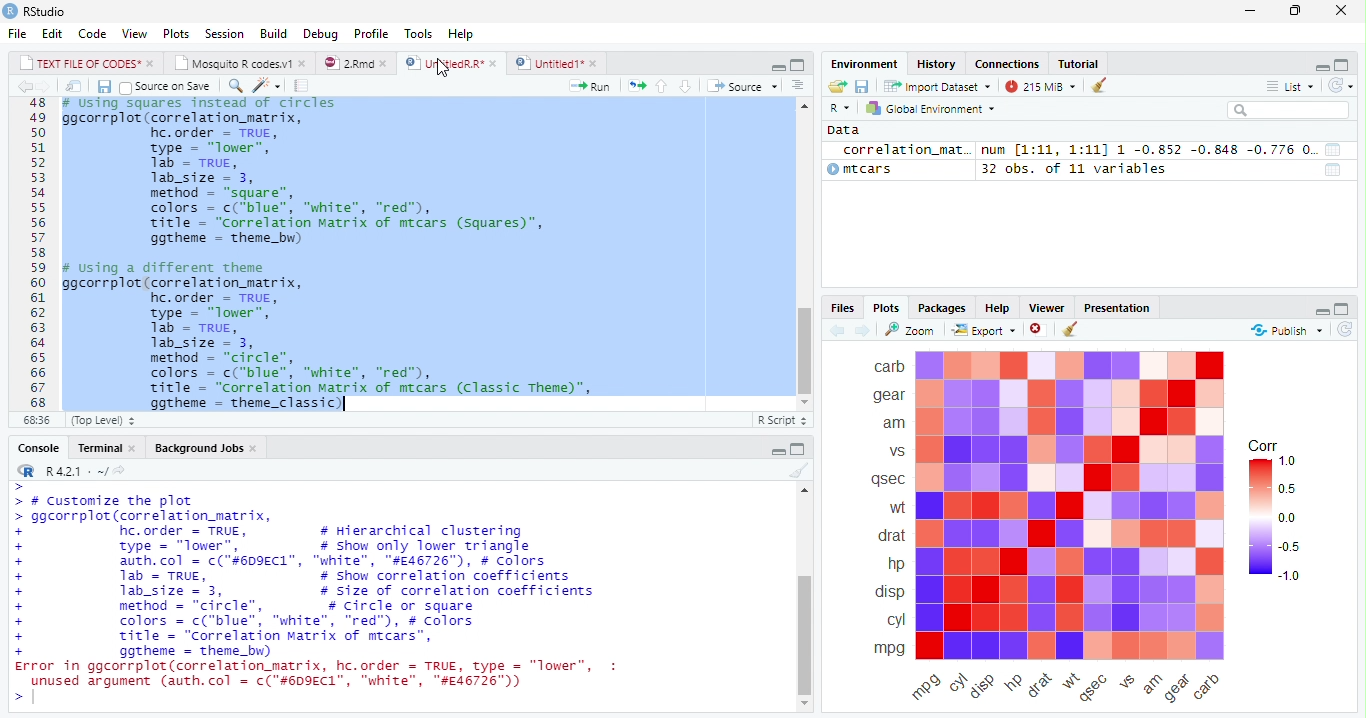 This screenshot has height=718, width=1366. I want to click on hide console, so click(798, 64).